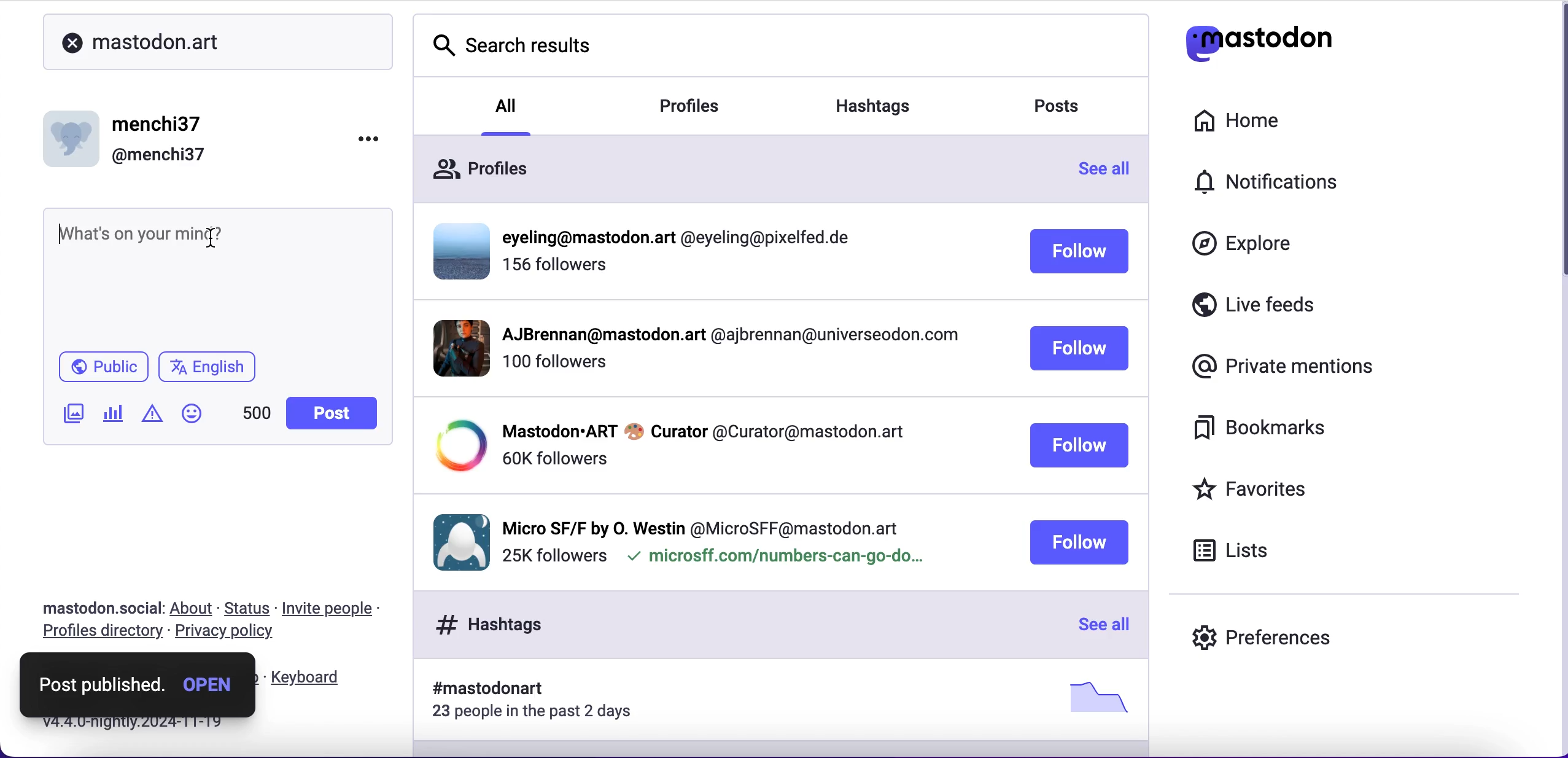  What do you see at coordinates (373, 139) in the screenshot?
I see `options` at bounding box center [373, 139].